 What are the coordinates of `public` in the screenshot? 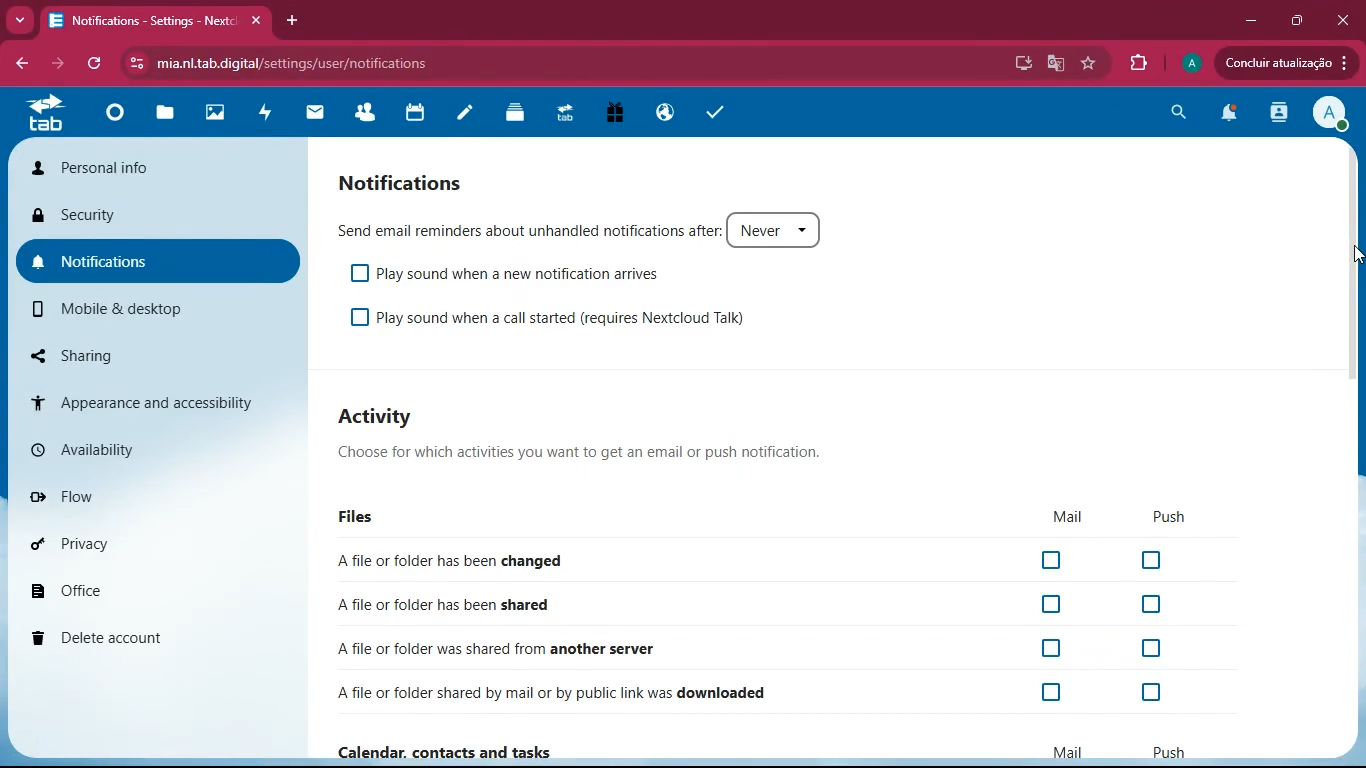 It's located at (669, 113).